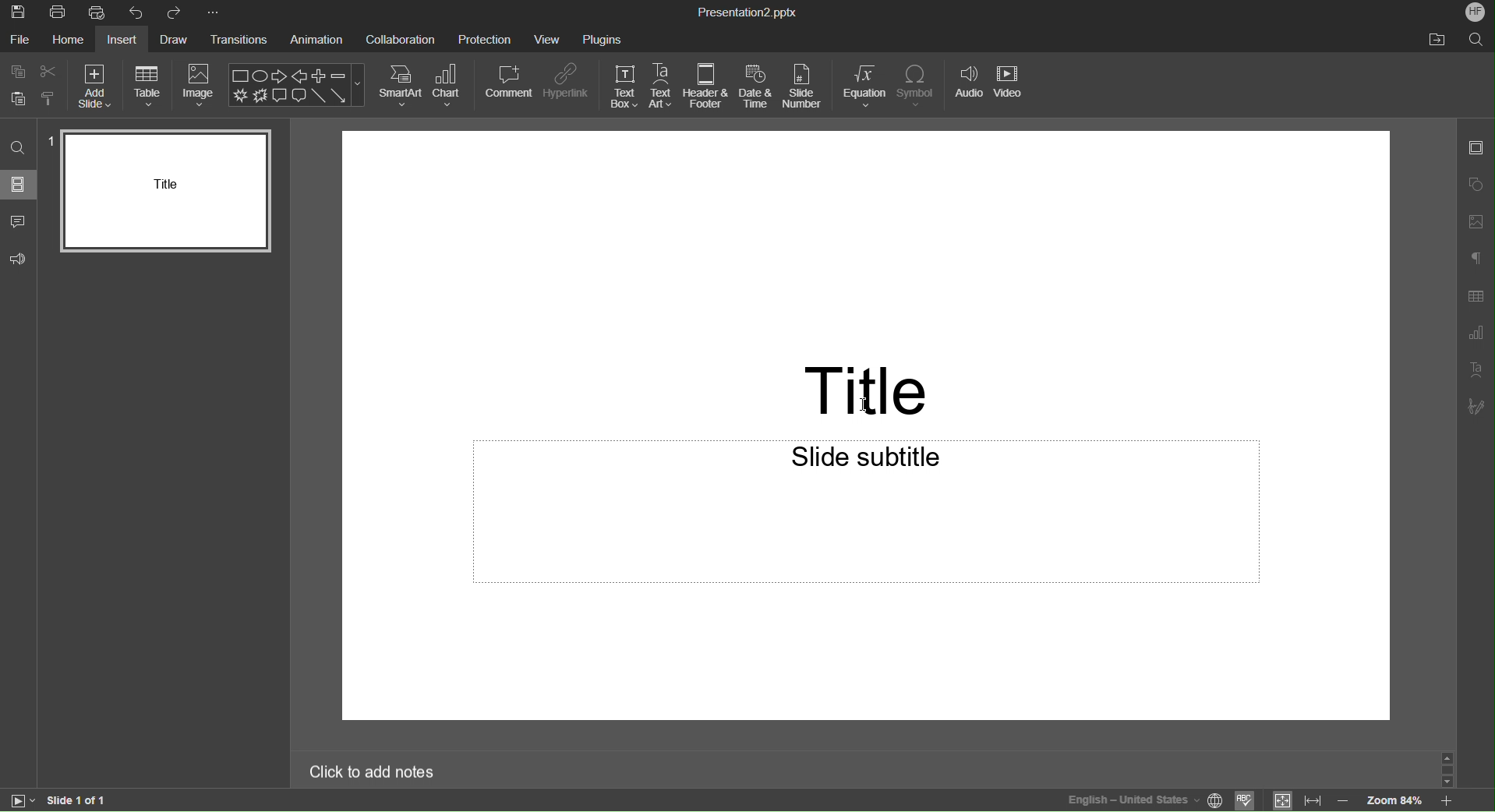 This screenshot has width=1495, height=812. I want to click on Zoom in, so click(1449, 802).